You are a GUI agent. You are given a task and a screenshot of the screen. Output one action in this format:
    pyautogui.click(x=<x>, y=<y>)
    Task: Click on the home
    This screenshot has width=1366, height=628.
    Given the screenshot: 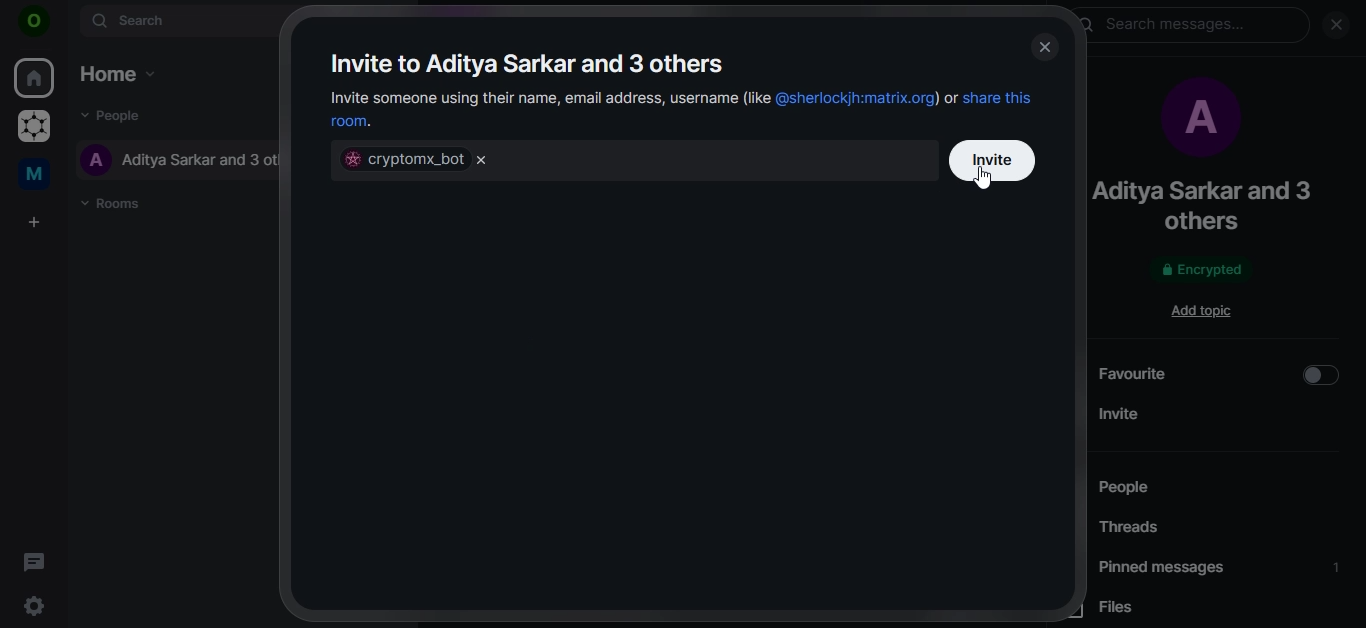 What is the action you would take?
    pyautogui.click(x=35, y=76)
    